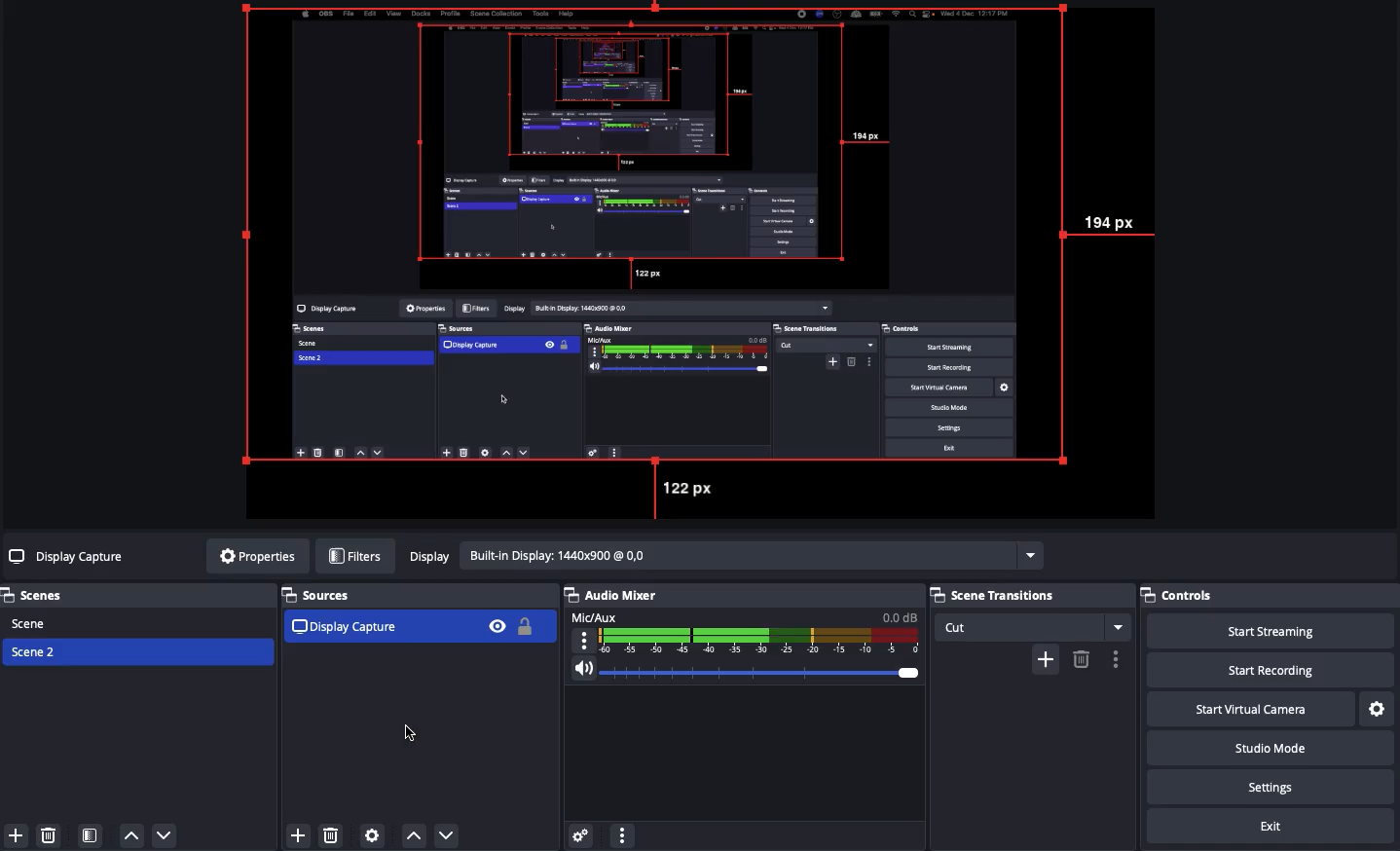  I want to click on Volume, so click(747, 669).